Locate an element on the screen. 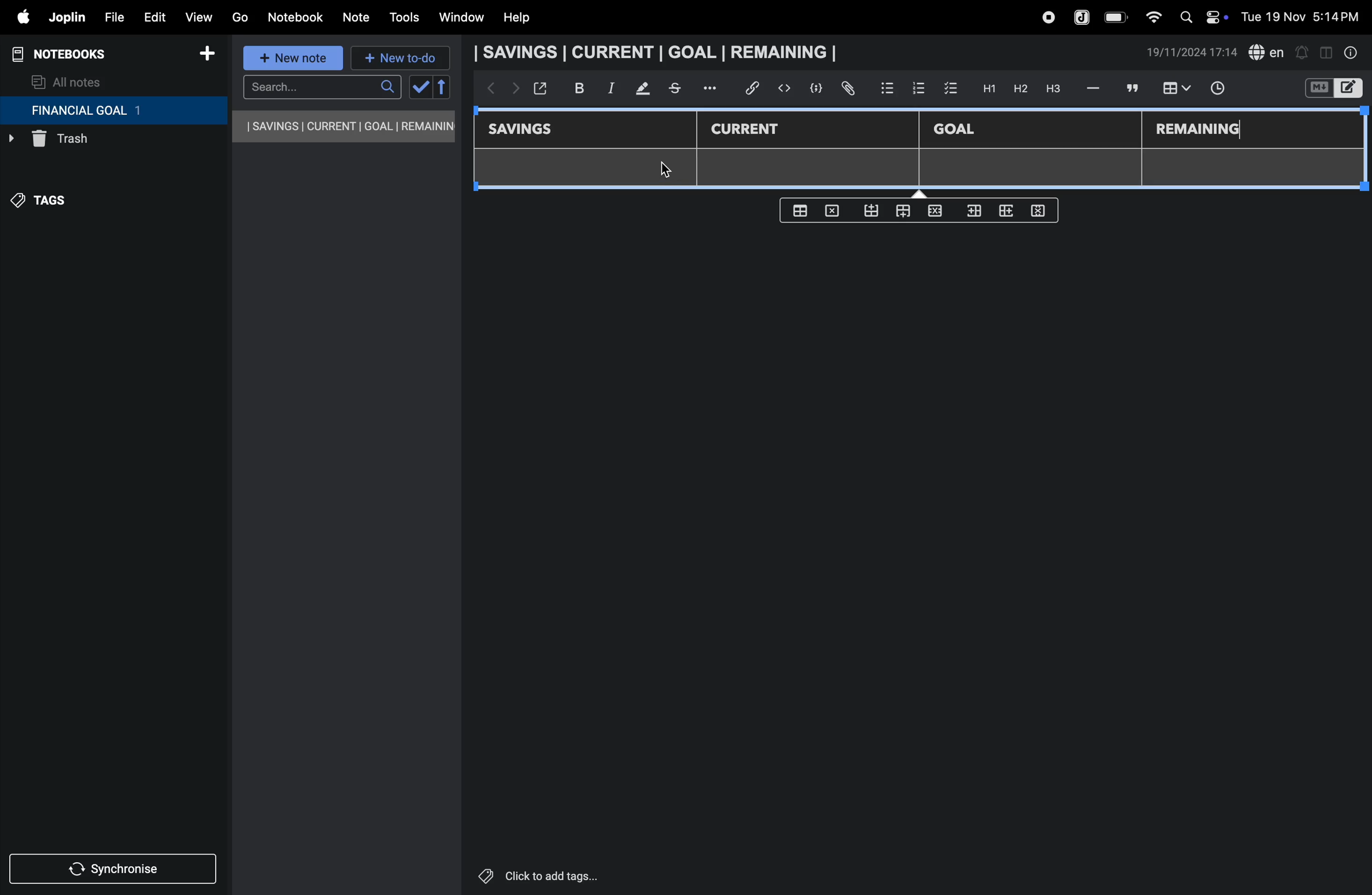  numbered list is located at coordinates (918, 88).